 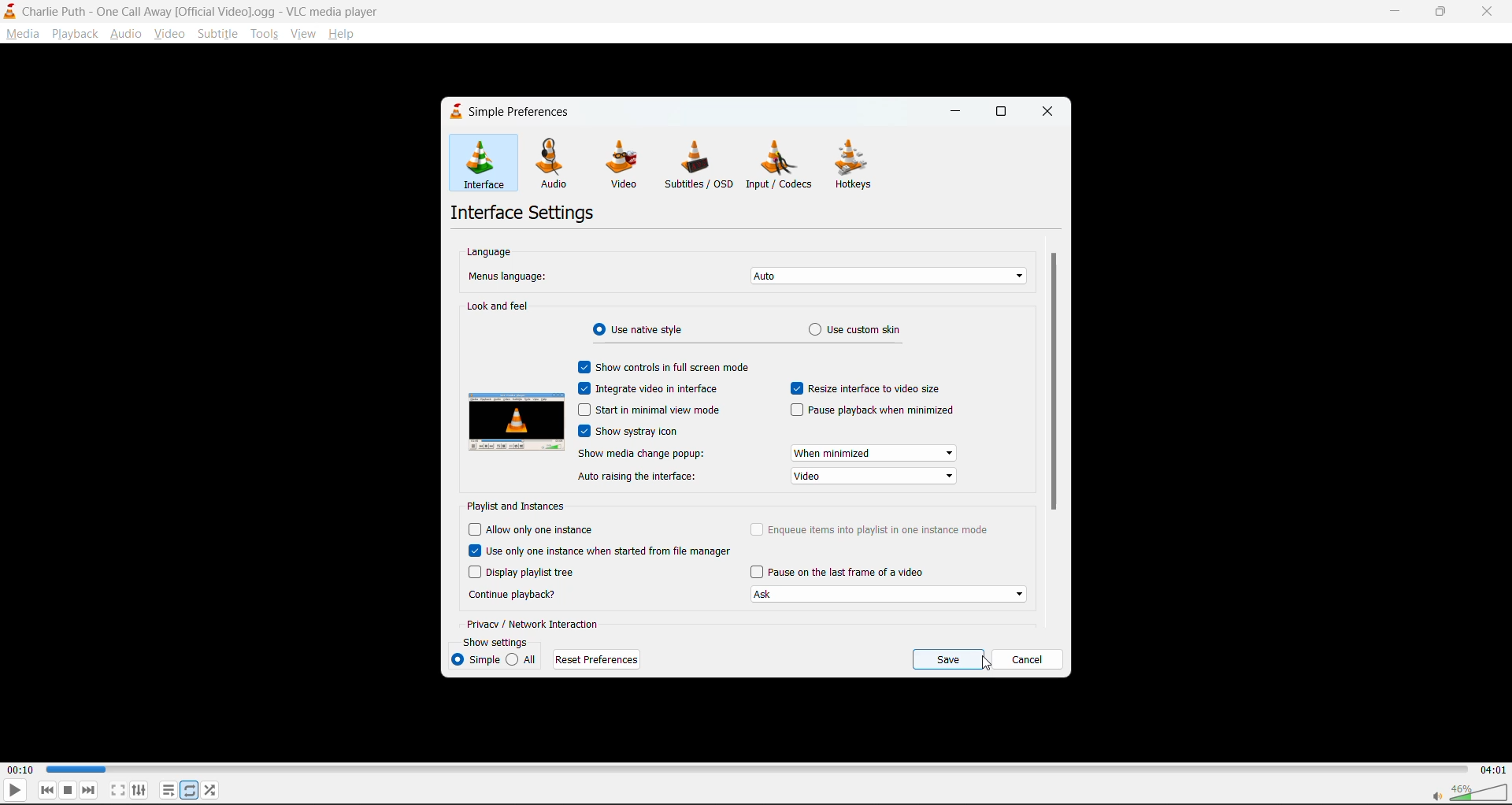 I want to click on Checbox, so click(x=473, y=529).